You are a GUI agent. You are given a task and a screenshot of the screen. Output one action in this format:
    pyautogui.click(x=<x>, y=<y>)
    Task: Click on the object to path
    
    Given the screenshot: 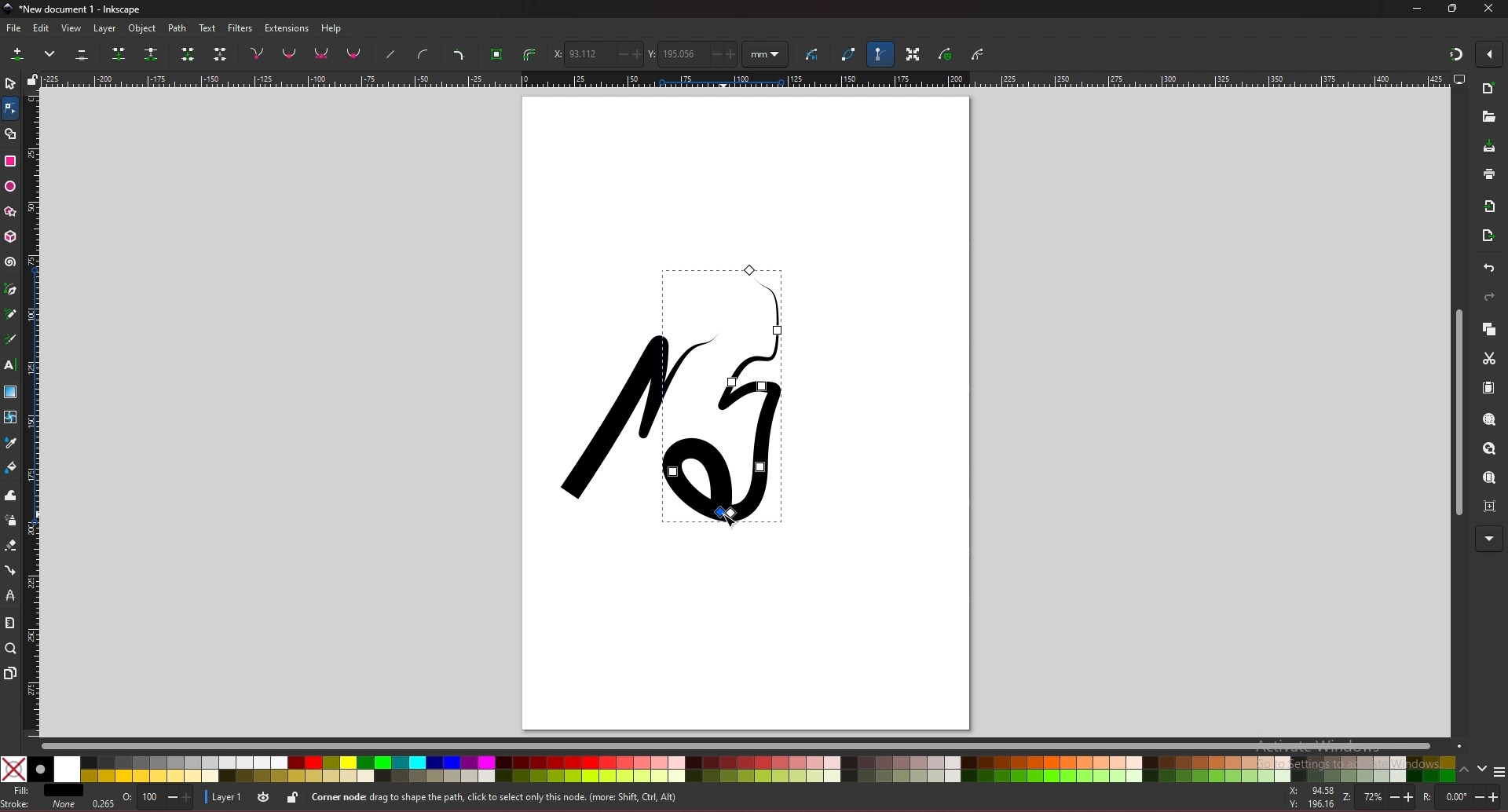 What is the action you would take?
    pyautogui.click(x=499, y=55)
    